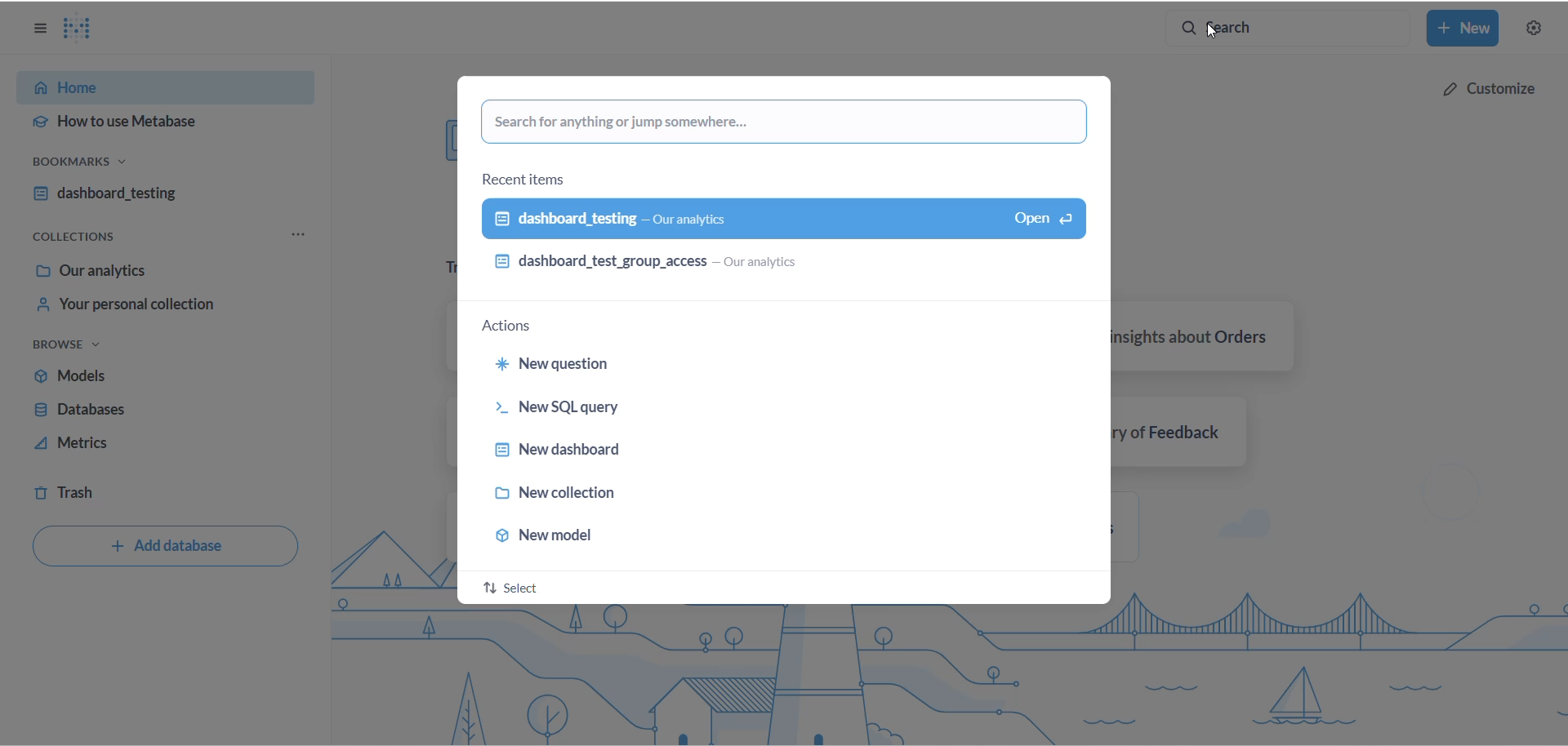  What do you see at coordinates (158, 196) in the screenshot?
I see `dashboard ` at bounding box center [158, 196].